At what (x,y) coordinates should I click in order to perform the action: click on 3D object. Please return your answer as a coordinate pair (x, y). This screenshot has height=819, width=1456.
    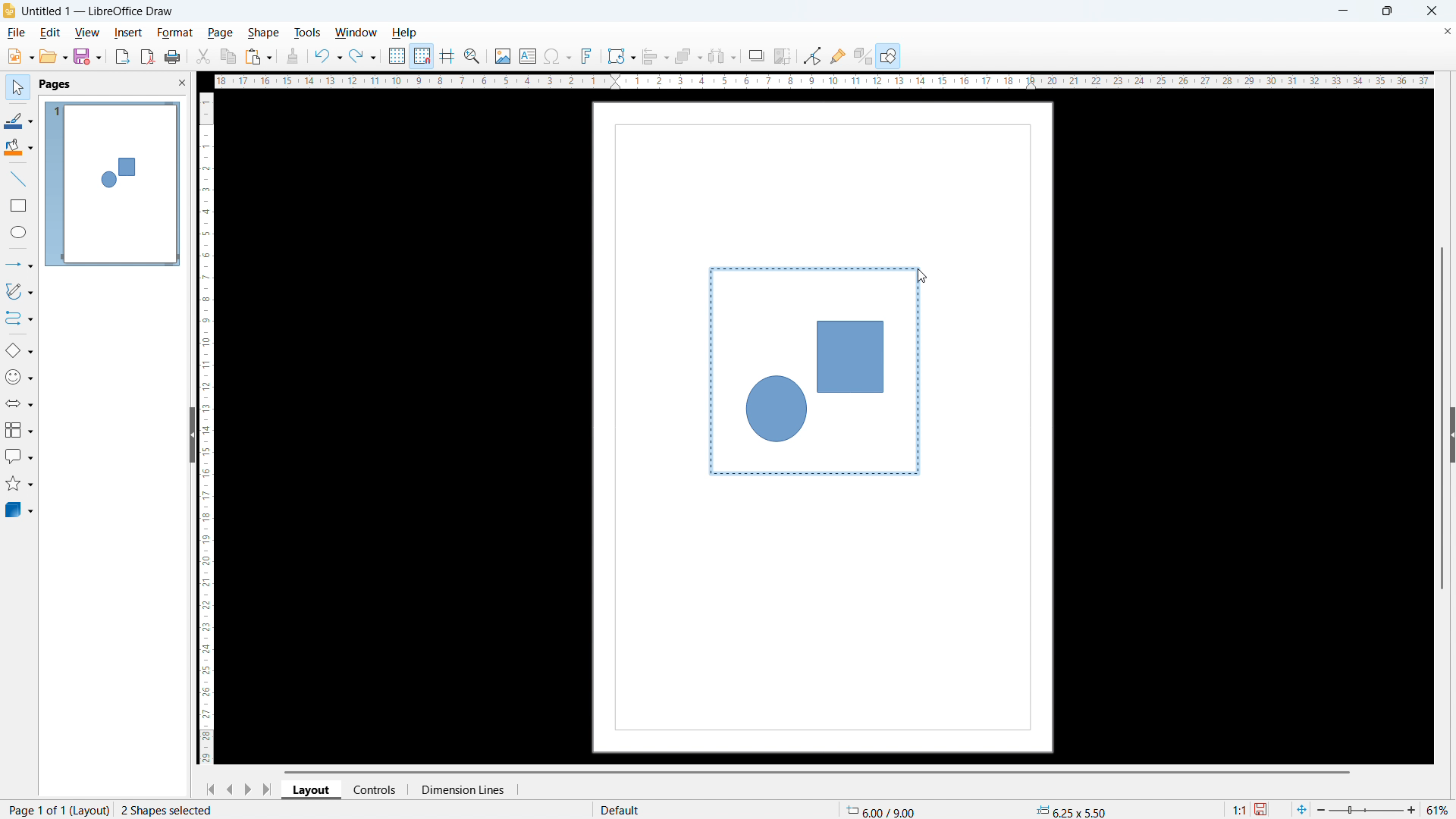
    Looking at the image, I should click on (20, 510).